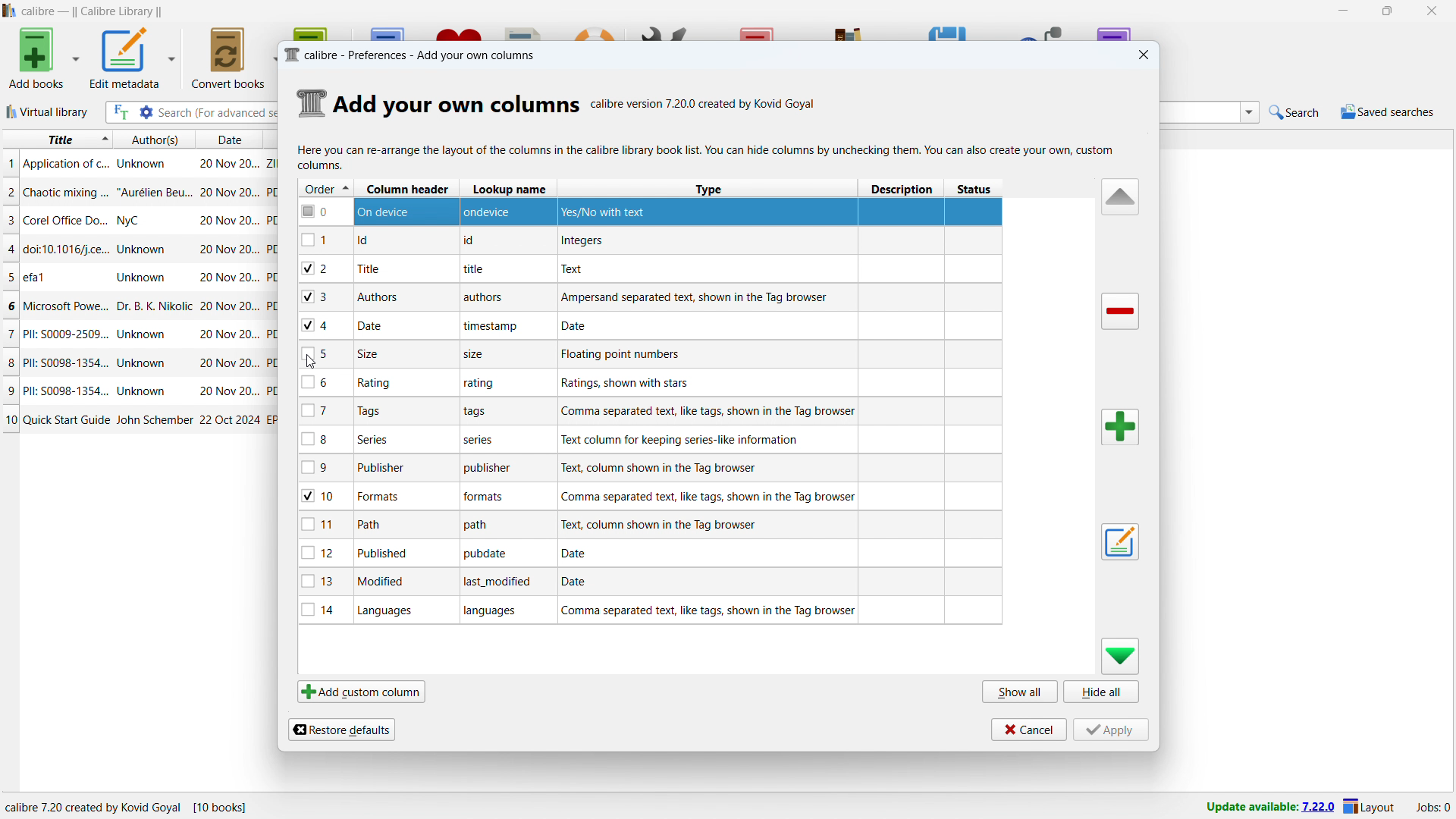 The height and width of the screenshot is (819, 1456). What do you see at coordinates (384, 496) in the screenshot?
I see `formats` at bounding box center [384, 496].